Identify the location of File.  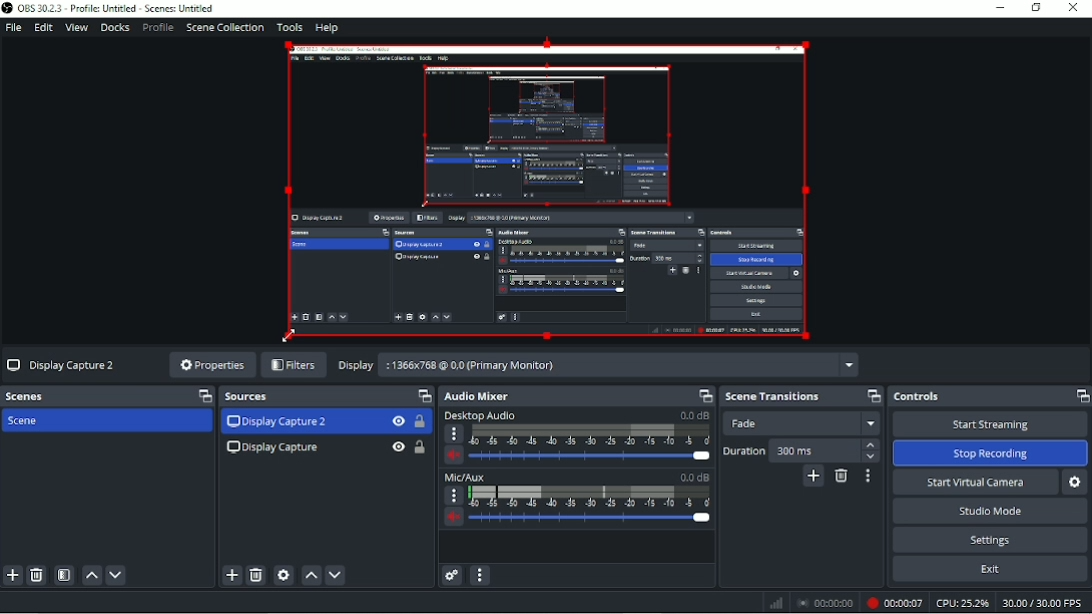
(14, 28).